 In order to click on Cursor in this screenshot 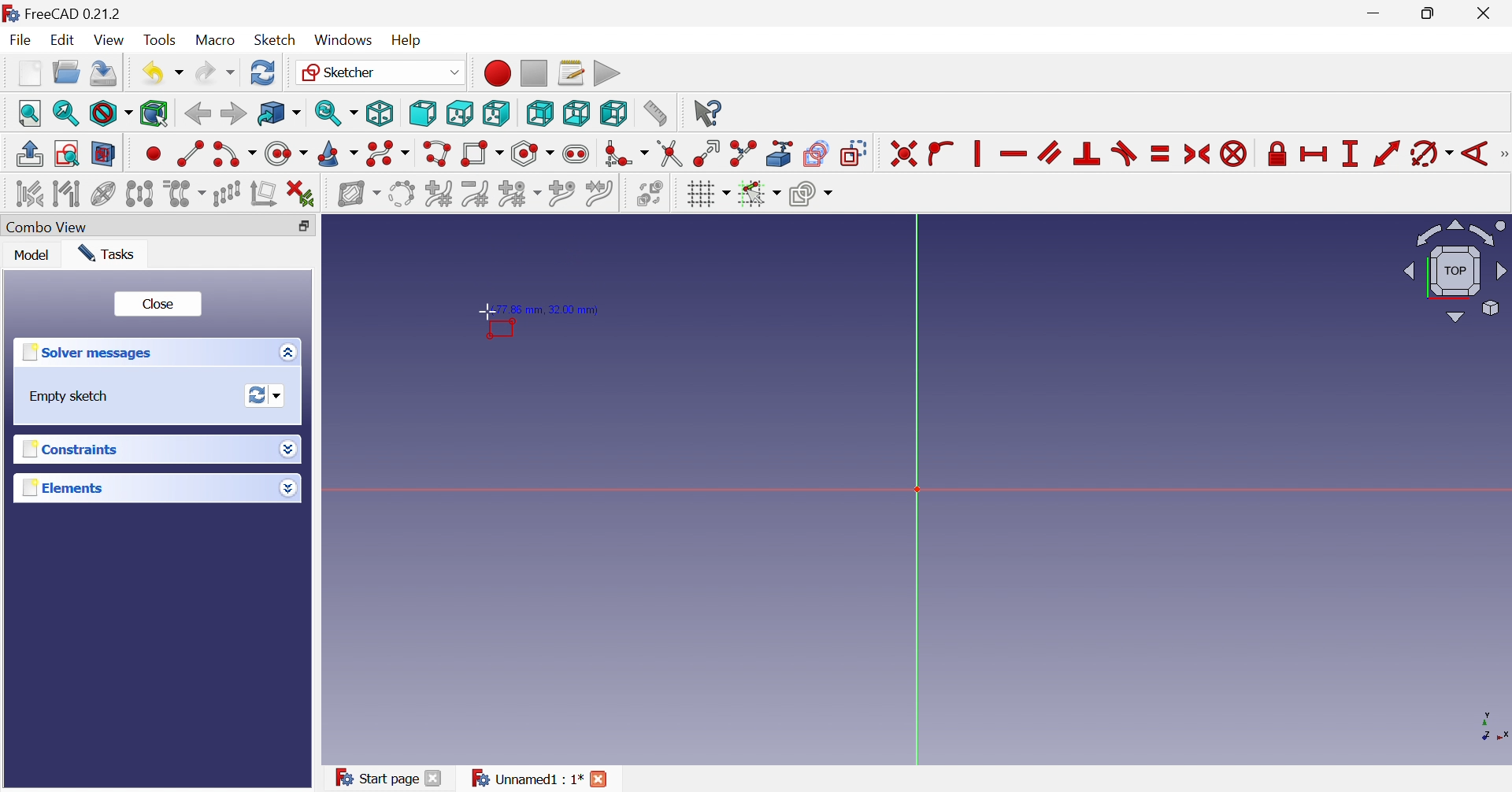, I will do `click(486, 313)`.